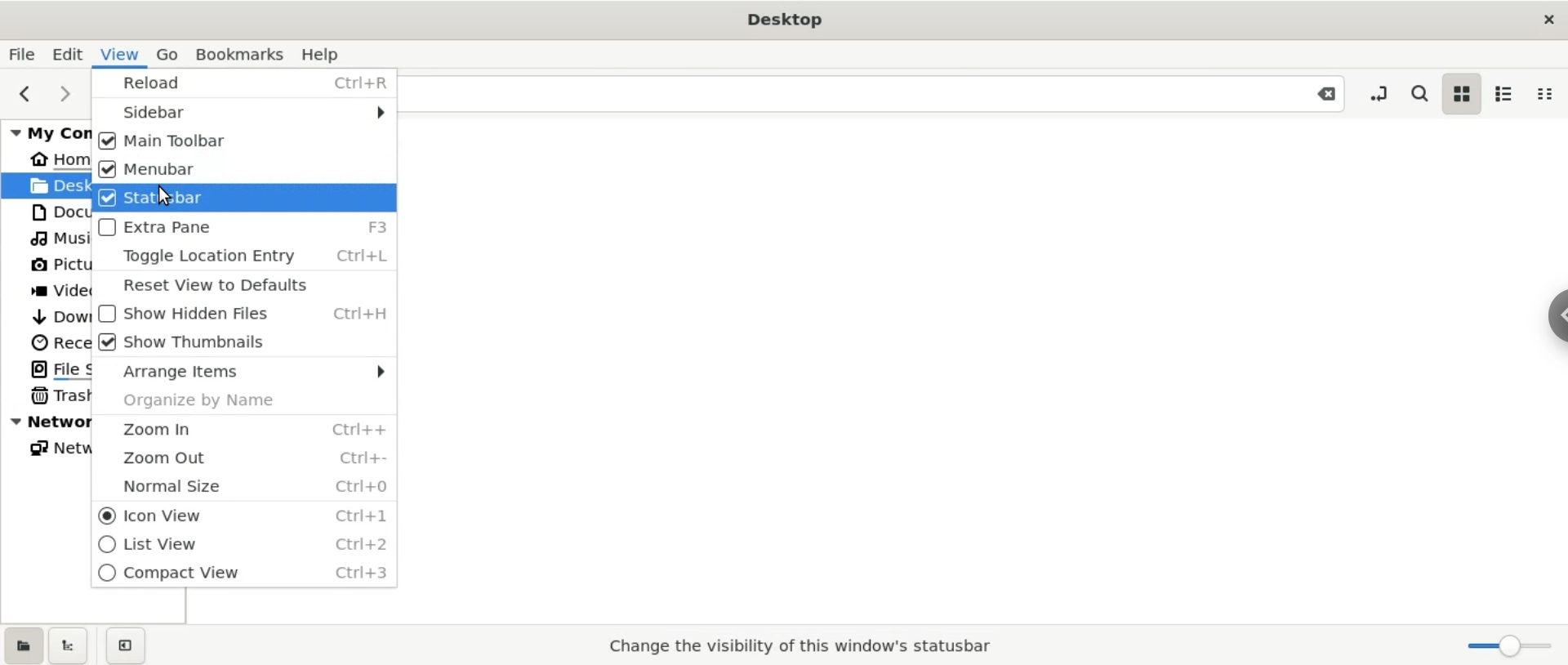  What do you see at coordinates (795, 645) in the screenshot?
I see `Change the visibility of this window's statusbar` at bounding box center [795, 645].